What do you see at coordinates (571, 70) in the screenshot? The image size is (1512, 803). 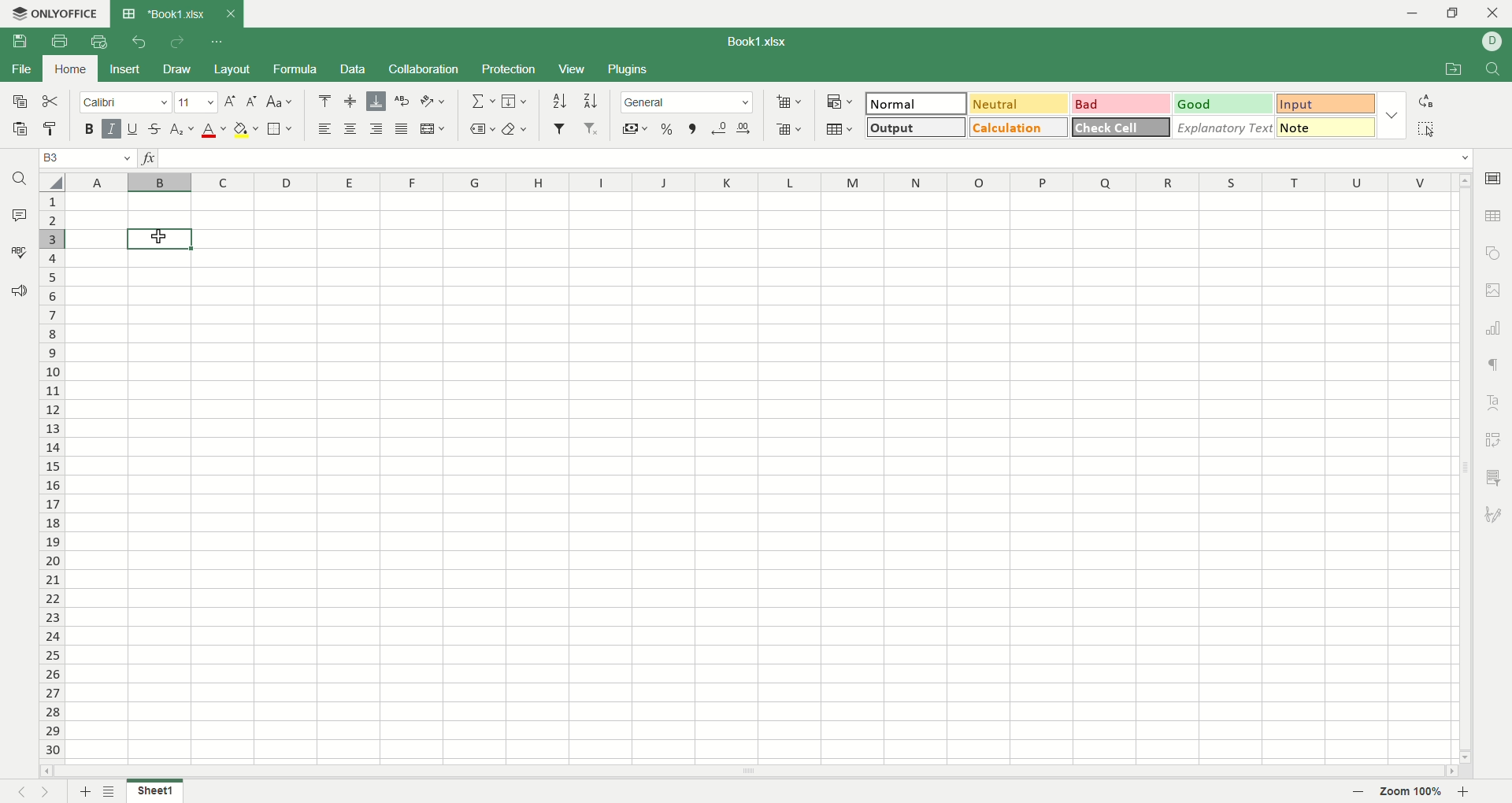 I see `` at bounding box center [571, 70].